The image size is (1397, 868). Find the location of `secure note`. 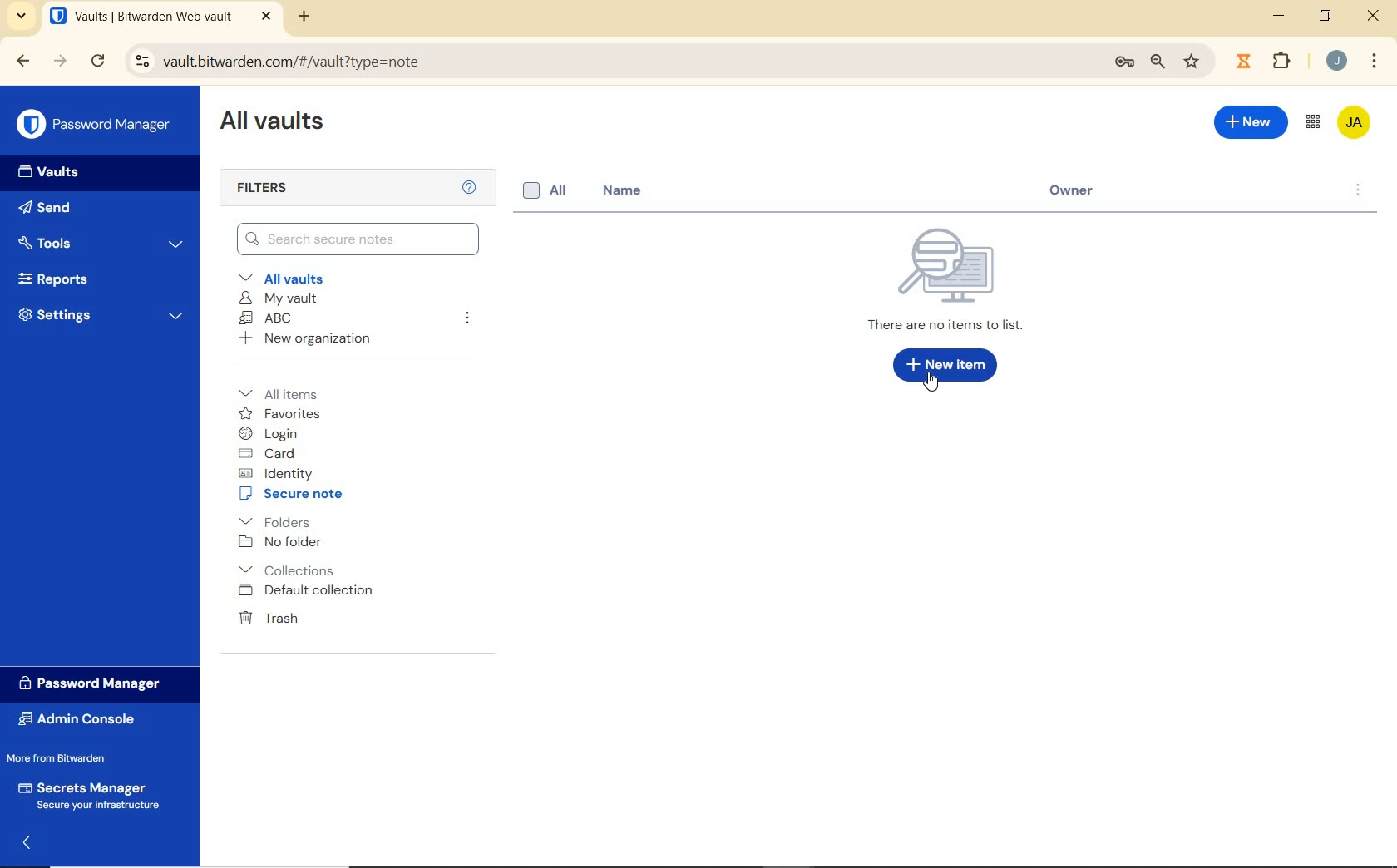

secure note is located at coordinates (294, 494).